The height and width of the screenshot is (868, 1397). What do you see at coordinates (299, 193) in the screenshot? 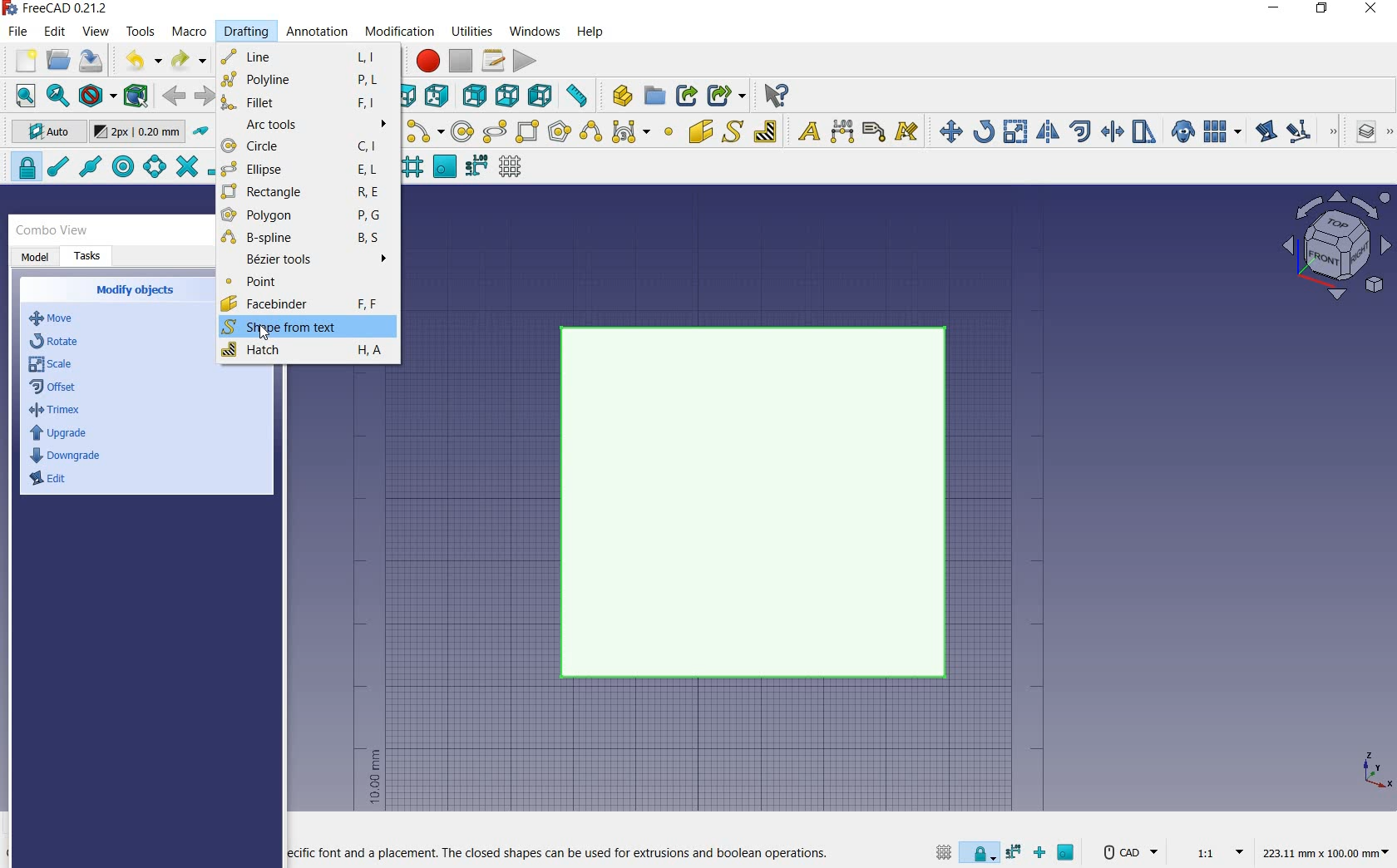
I see `rectangle` at bounding box center [299, 193].